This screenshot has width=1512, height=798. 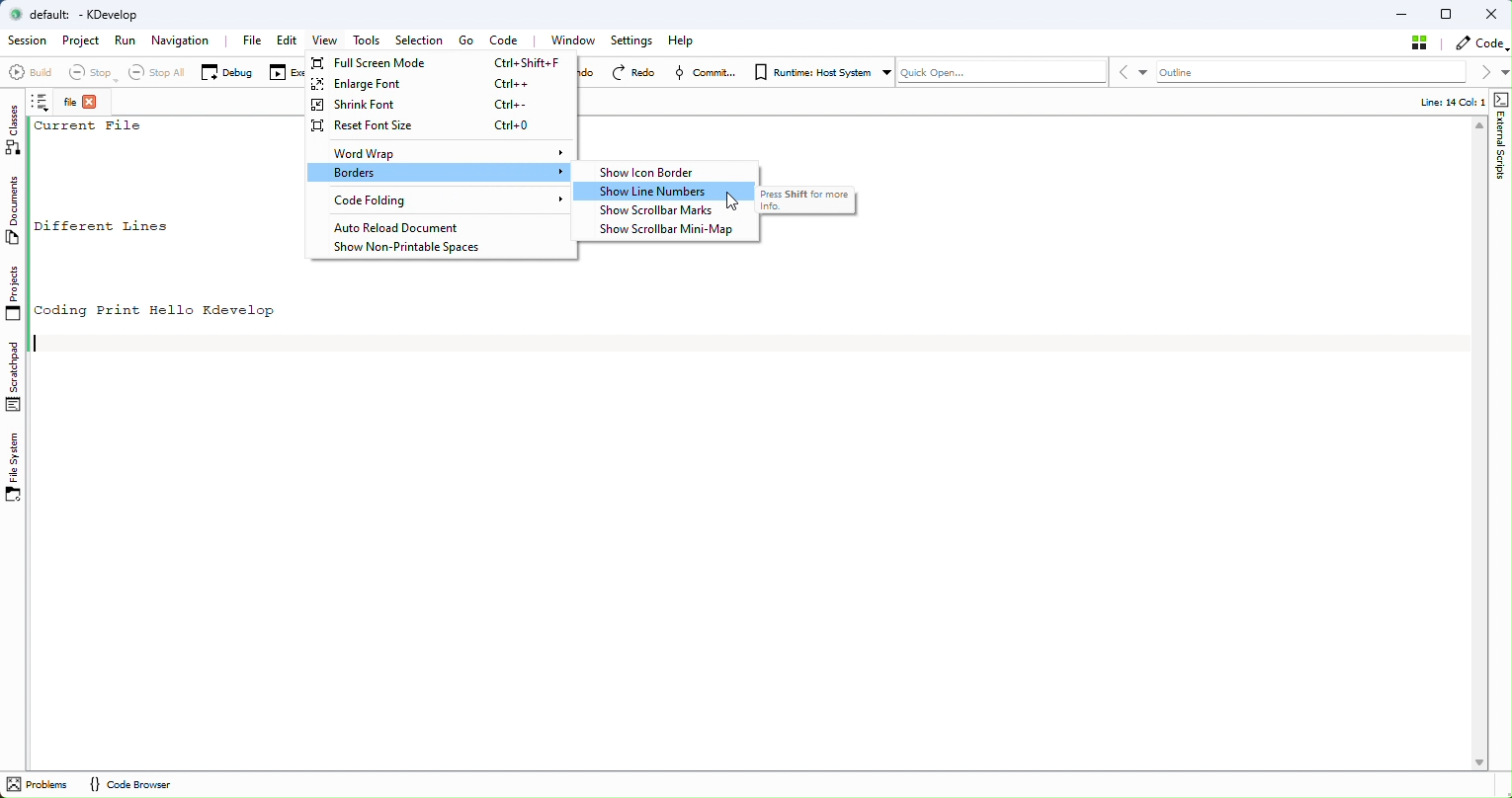 I want to click on Session, so click(x=26, y=41).